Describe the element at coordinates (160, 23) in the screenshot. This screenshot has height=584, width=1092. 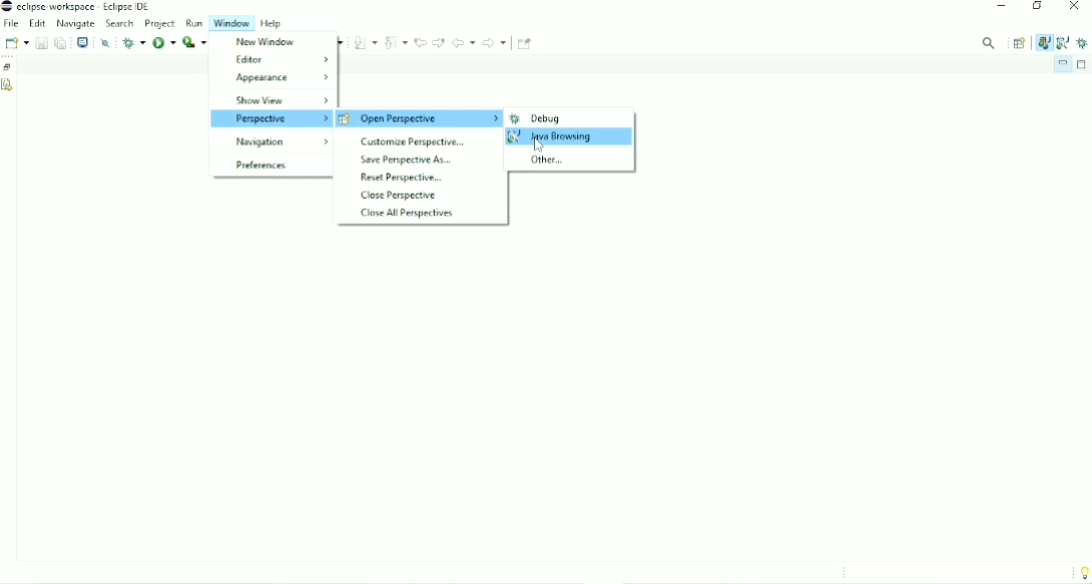
I see `Project` at that location.